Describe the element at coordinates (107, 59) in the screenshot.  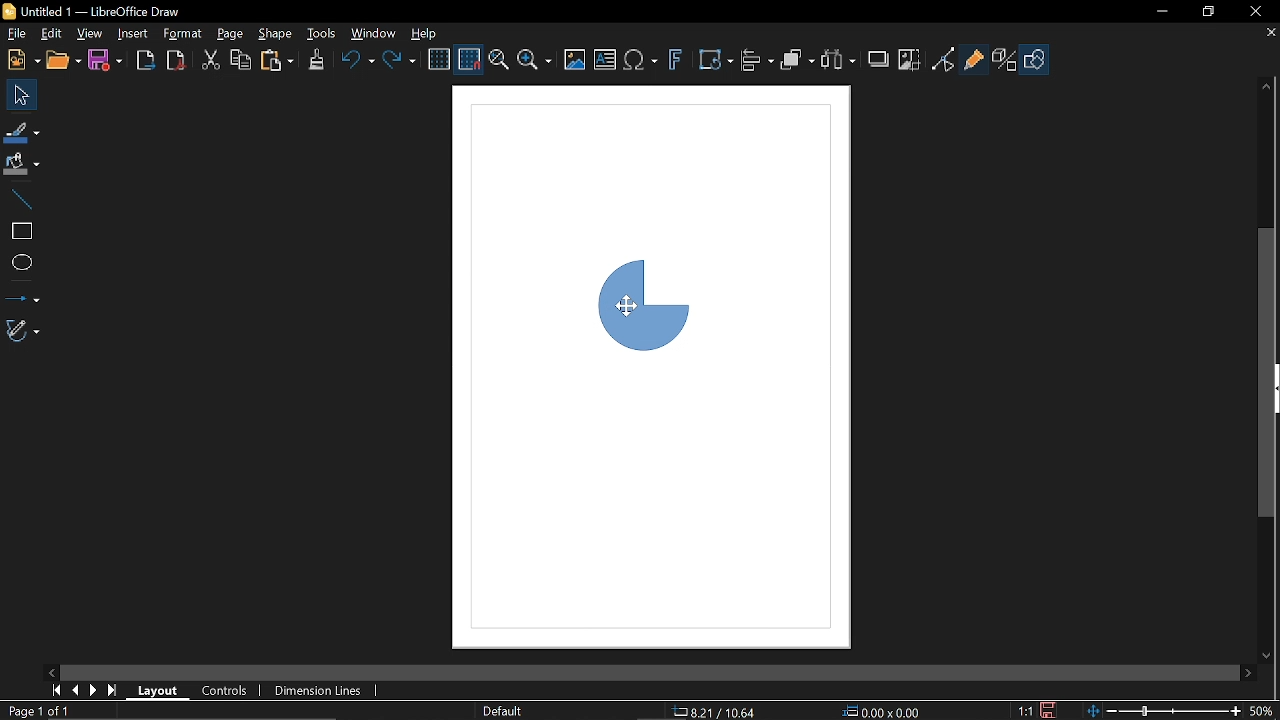
I see `Save` at that location.